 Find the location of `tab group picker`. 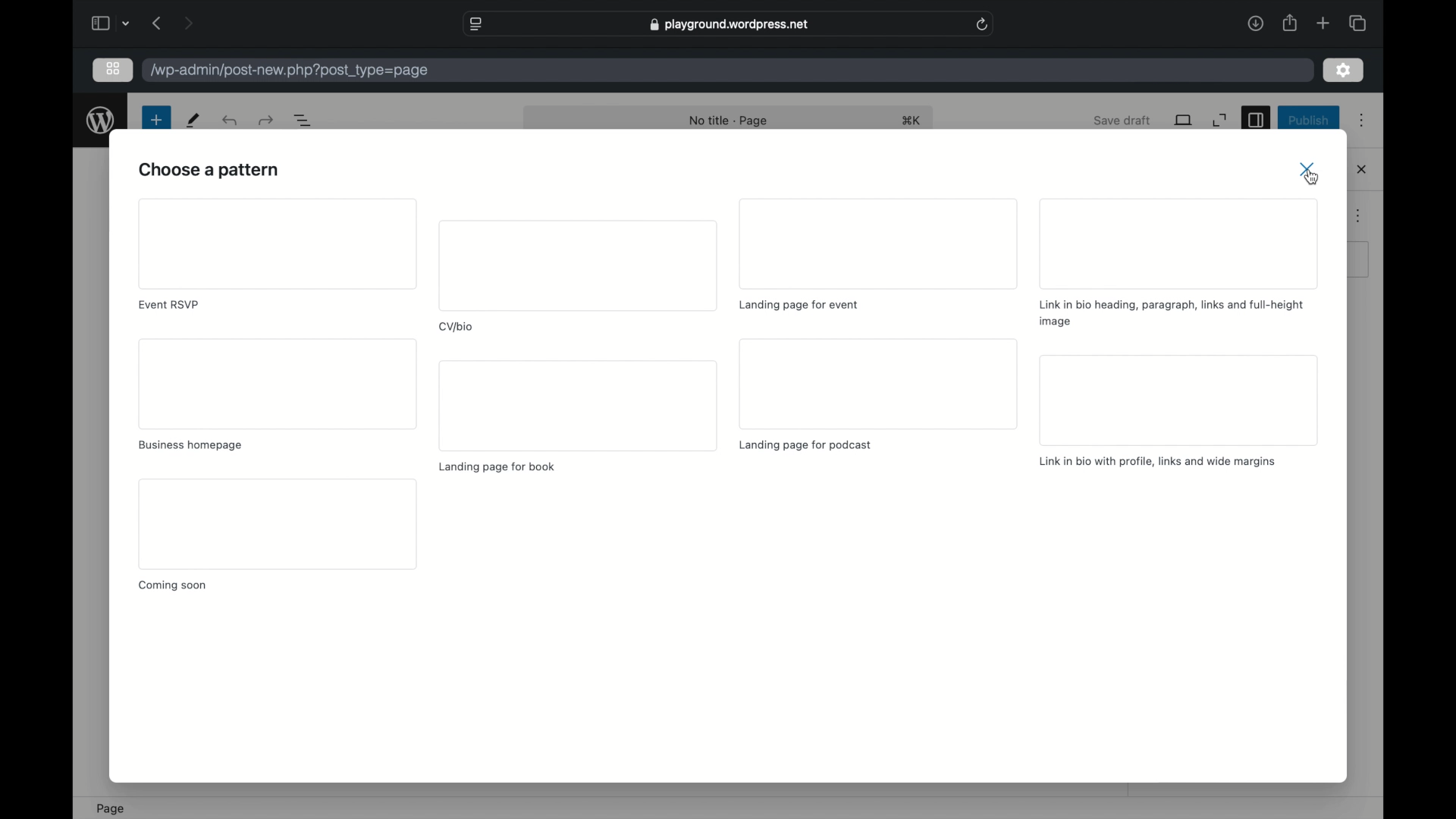

tab group picker is located at coordinates (126, 24).